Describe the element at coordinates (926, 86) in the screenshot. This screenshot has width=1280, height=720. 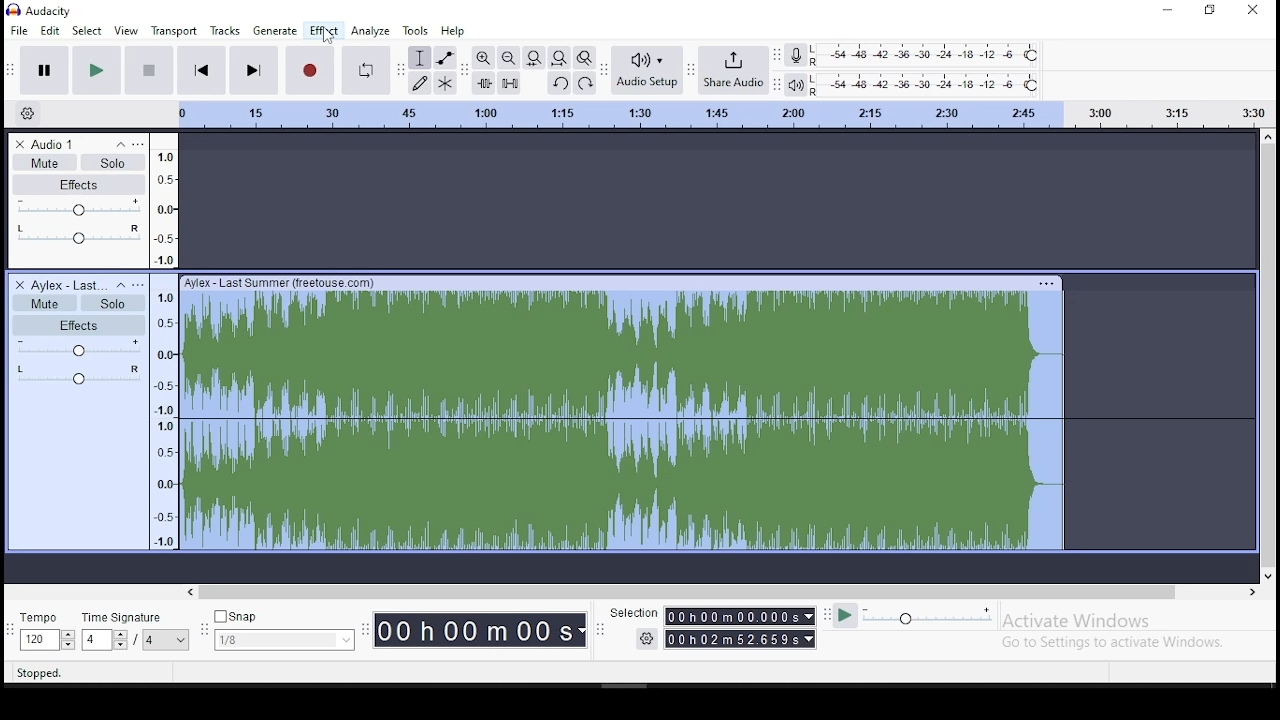
I see `playback meter` at that location.